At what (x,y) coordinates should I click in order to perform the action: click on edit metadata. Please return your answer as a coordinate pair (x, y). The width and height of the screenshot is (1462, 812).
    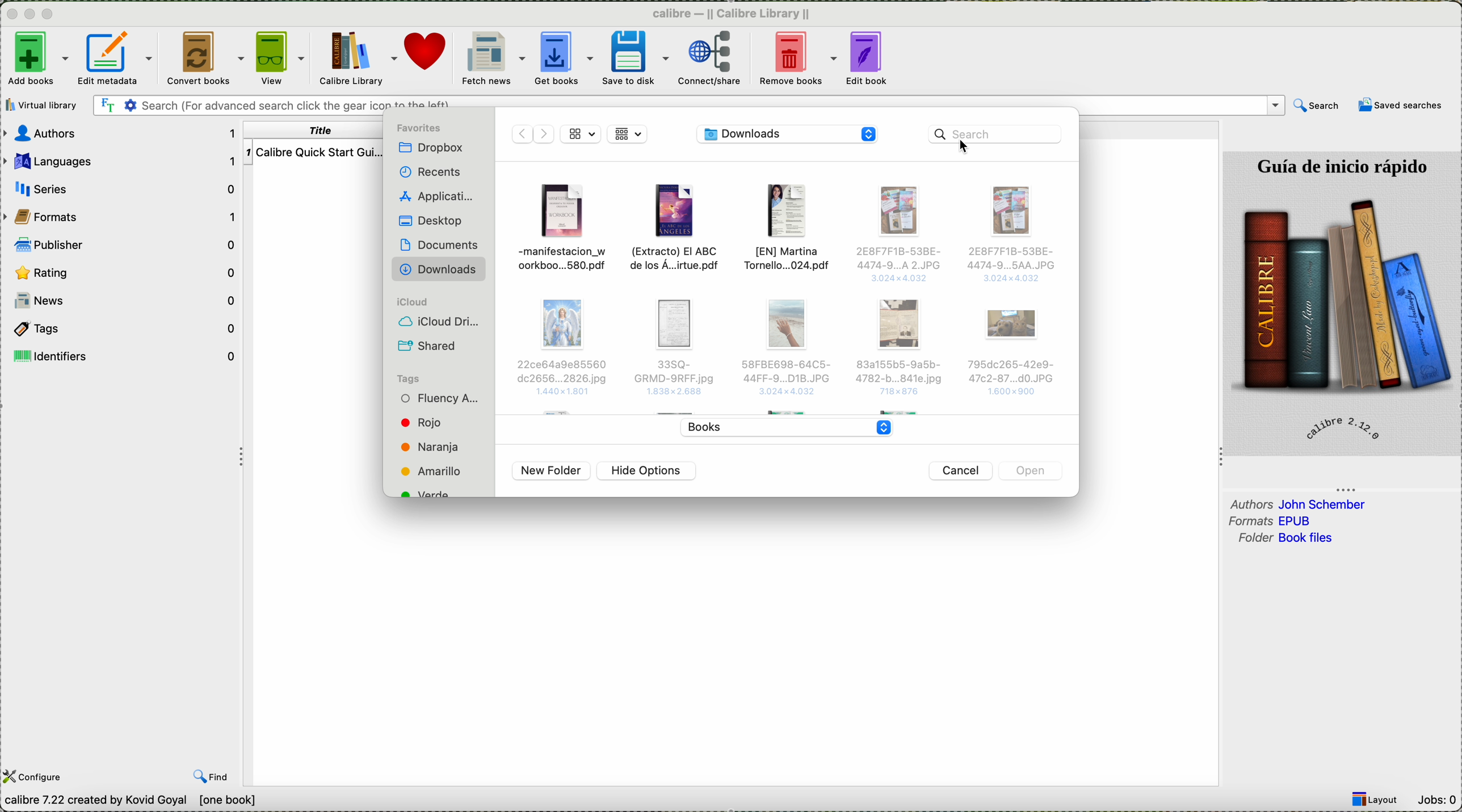
    Looking at the image, I should click on (118, 57).